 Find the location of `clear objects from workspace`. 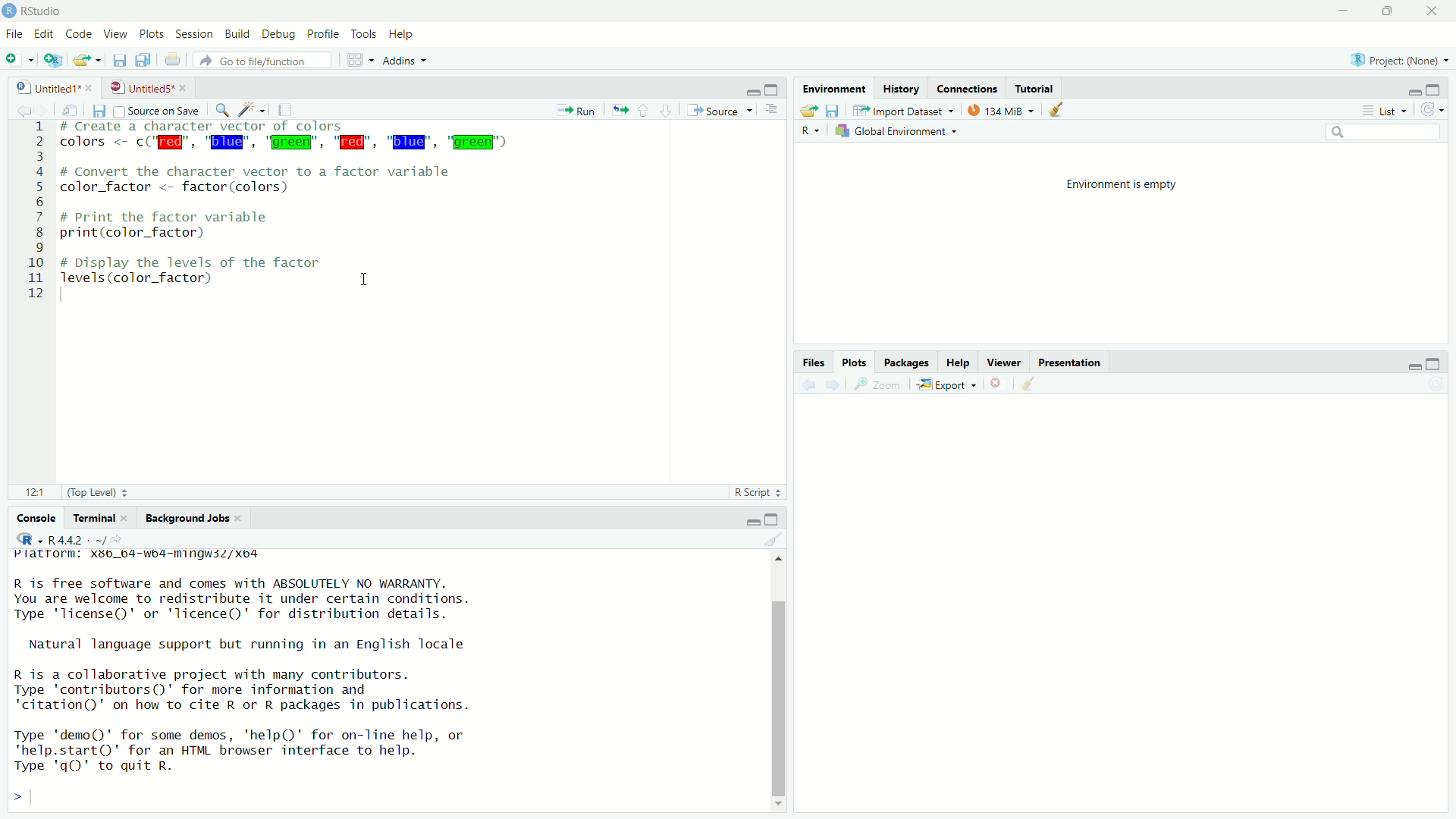

clear objects from workspace is located at coordinates (1053, 110).